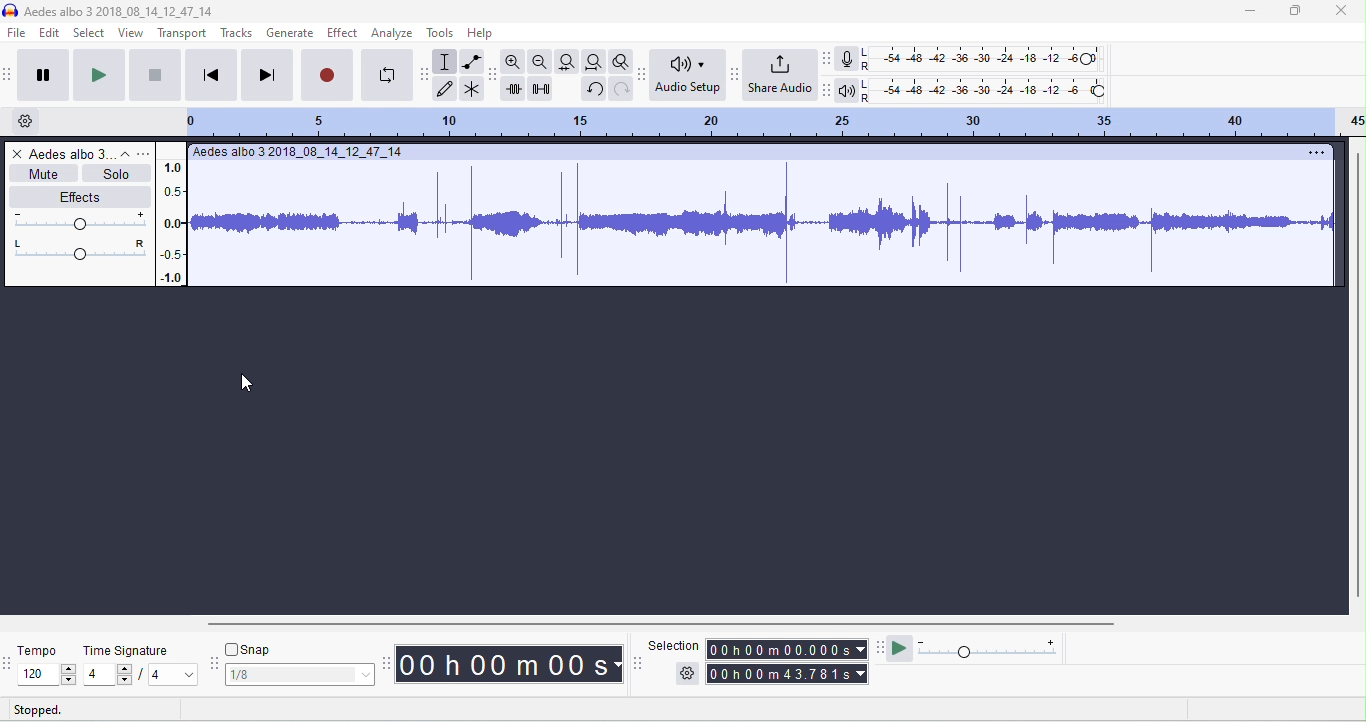 Image resolution: width=1366 pixels, height=722 pixels. I want to click on play, so click(98, 73).